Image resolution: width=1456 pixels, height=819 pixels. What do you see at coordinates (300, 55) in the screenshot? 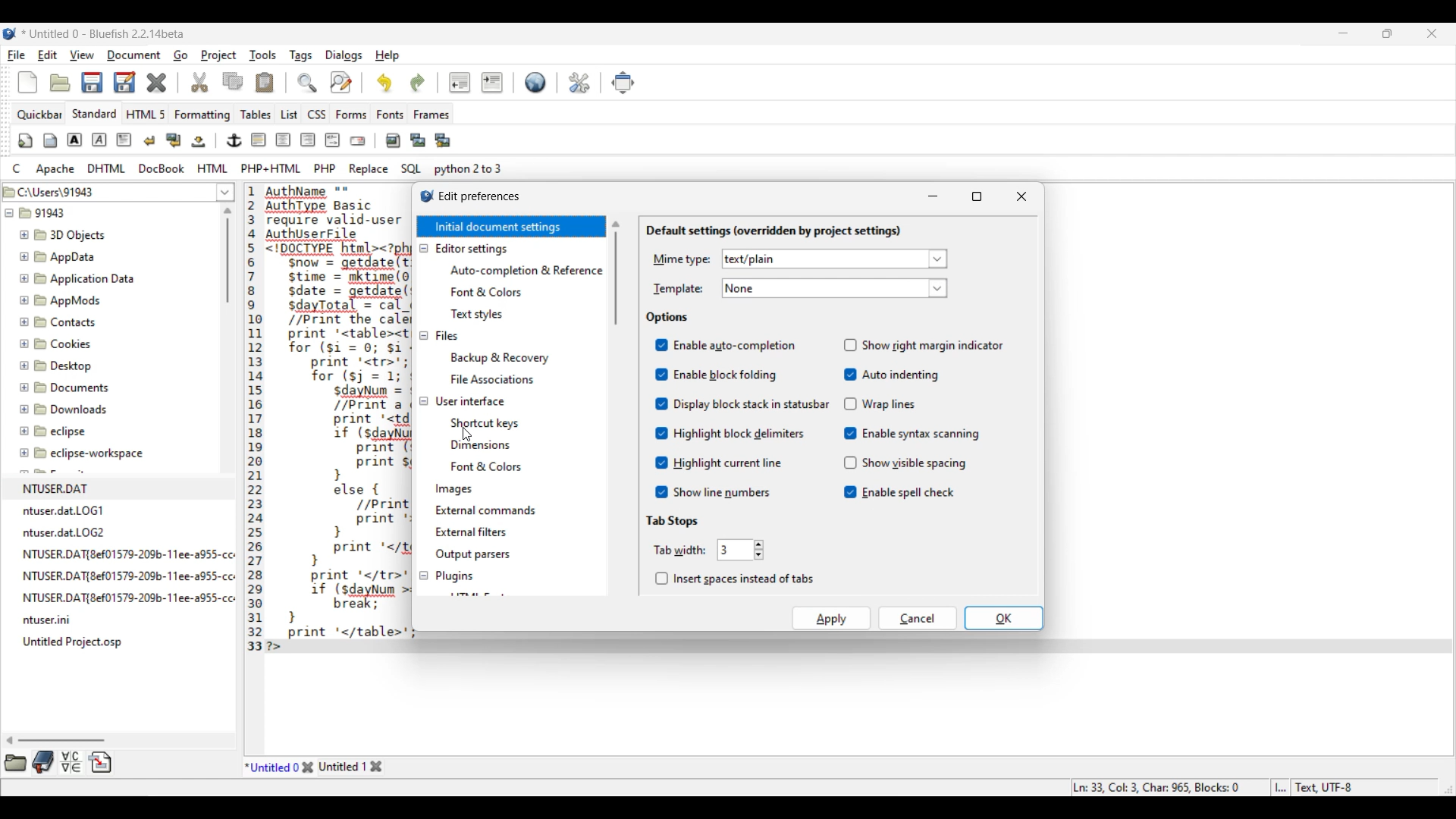
I see `Tags menu` at bounding box center [300, 55].